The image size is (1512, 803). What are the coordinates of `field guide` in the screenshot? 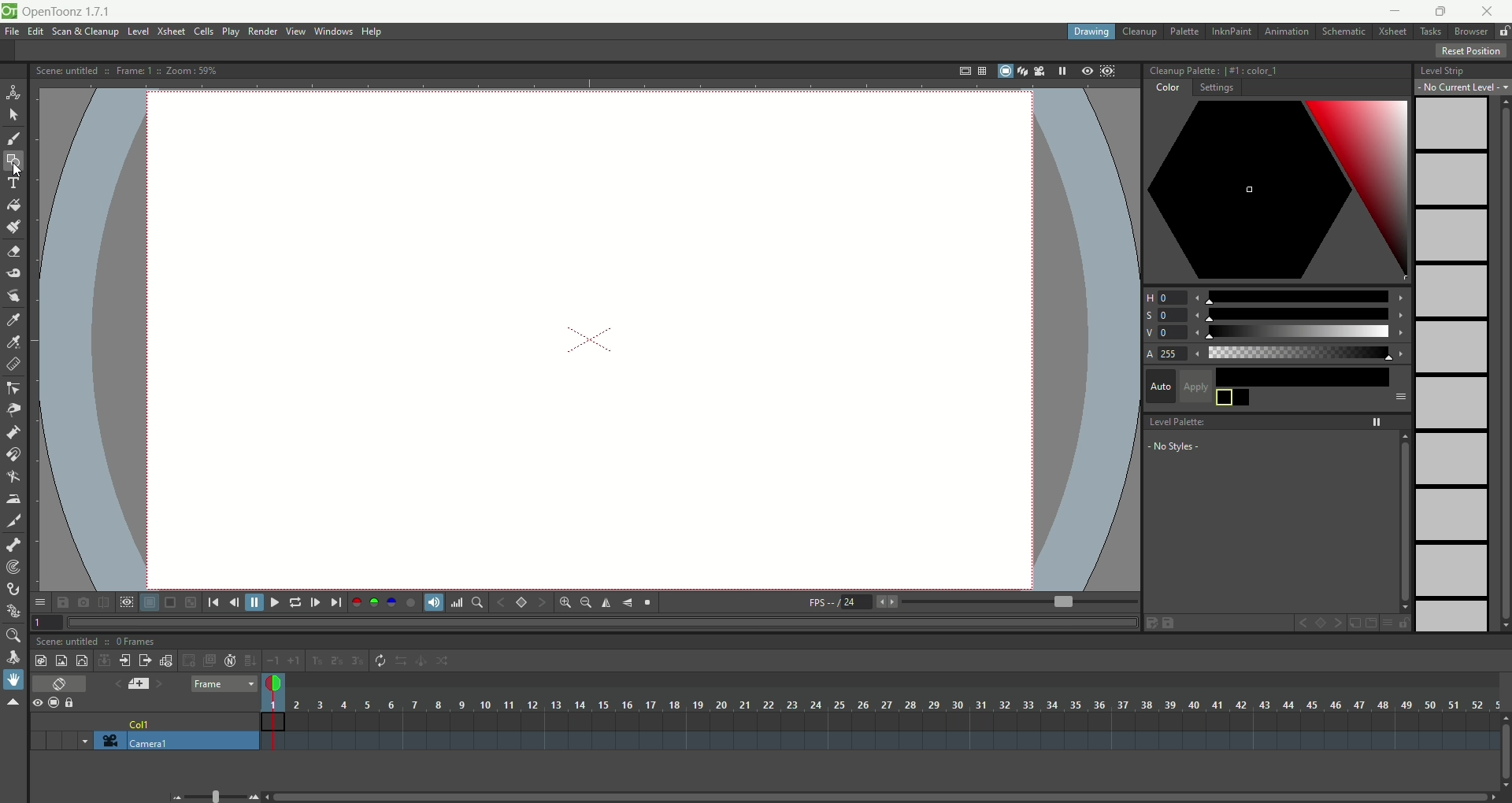 It's located at (981, 71).